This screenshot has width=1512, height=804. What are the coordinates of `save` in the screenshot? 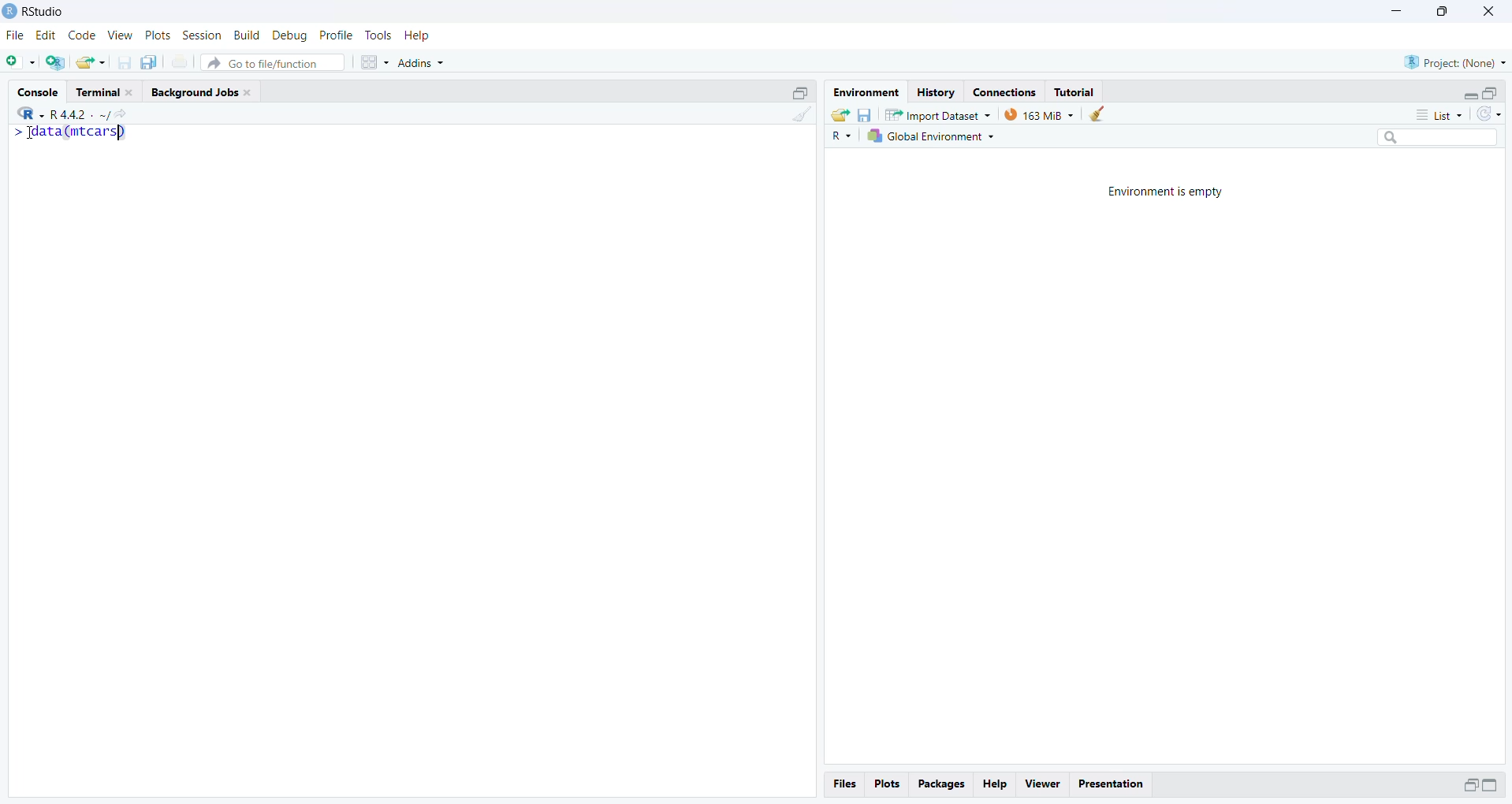 It's located at (866, 114).